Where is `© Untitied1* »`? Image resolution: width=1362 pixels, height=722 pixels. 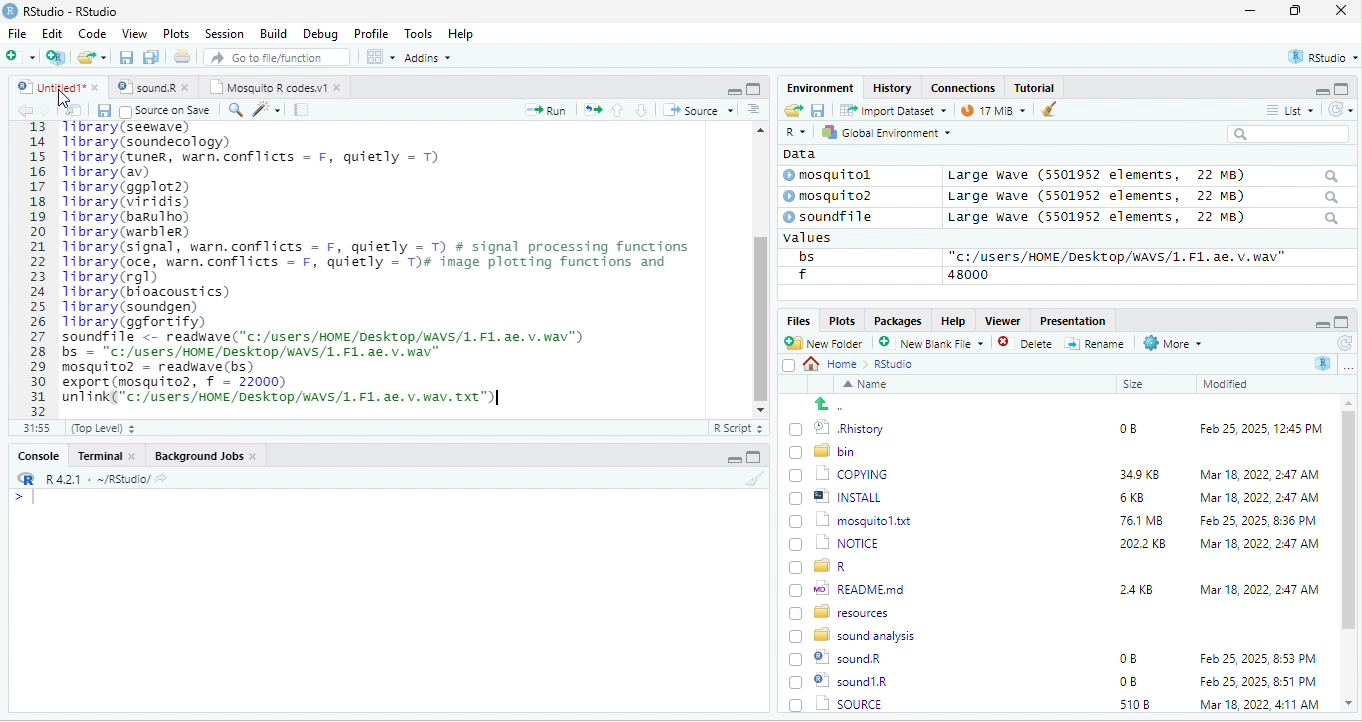
© Untitied1* » is located at coordinates (54, 87).